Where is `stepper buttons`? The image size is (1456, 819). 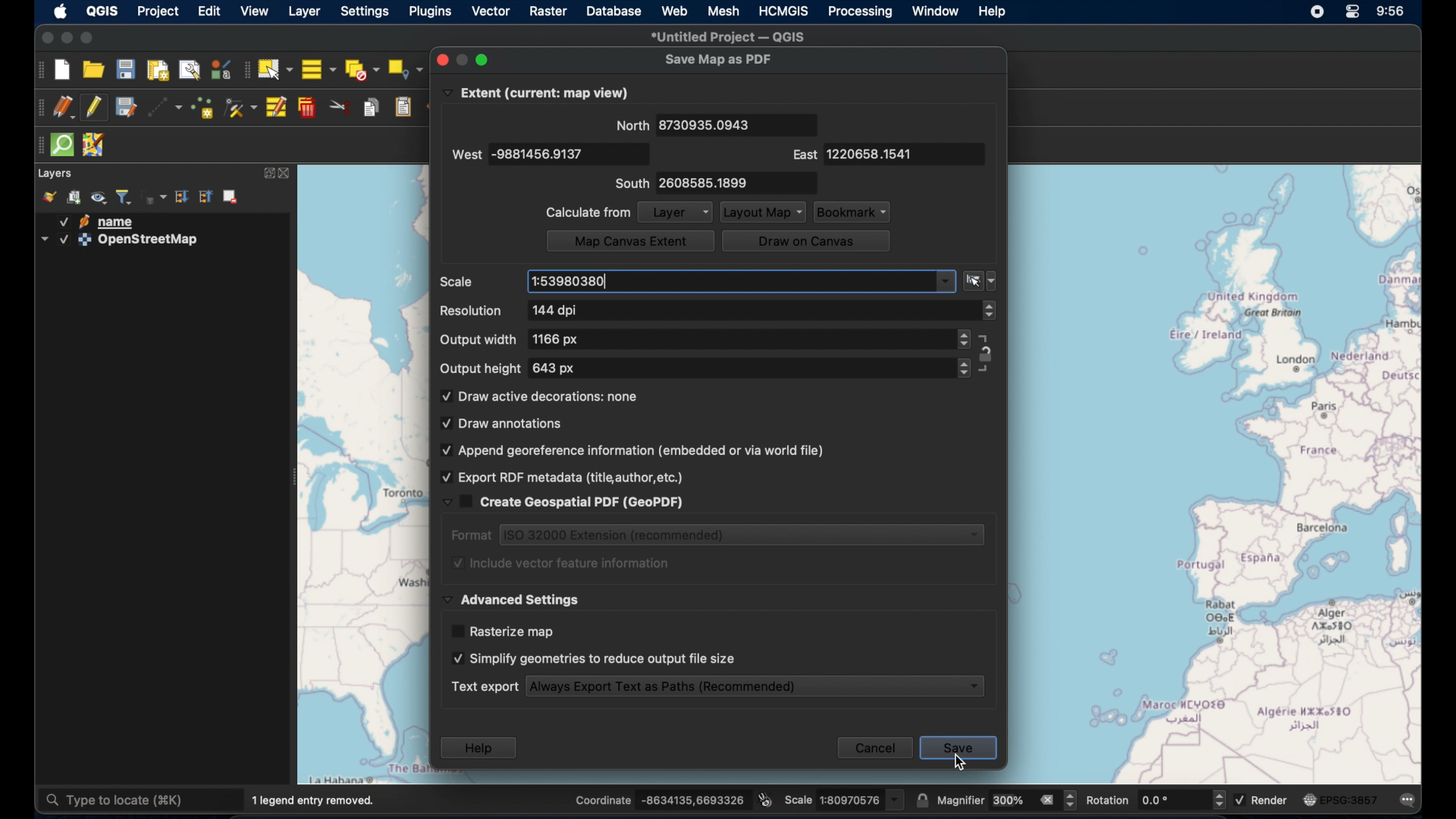 stepper buttons is located at coordinates (961, 369).